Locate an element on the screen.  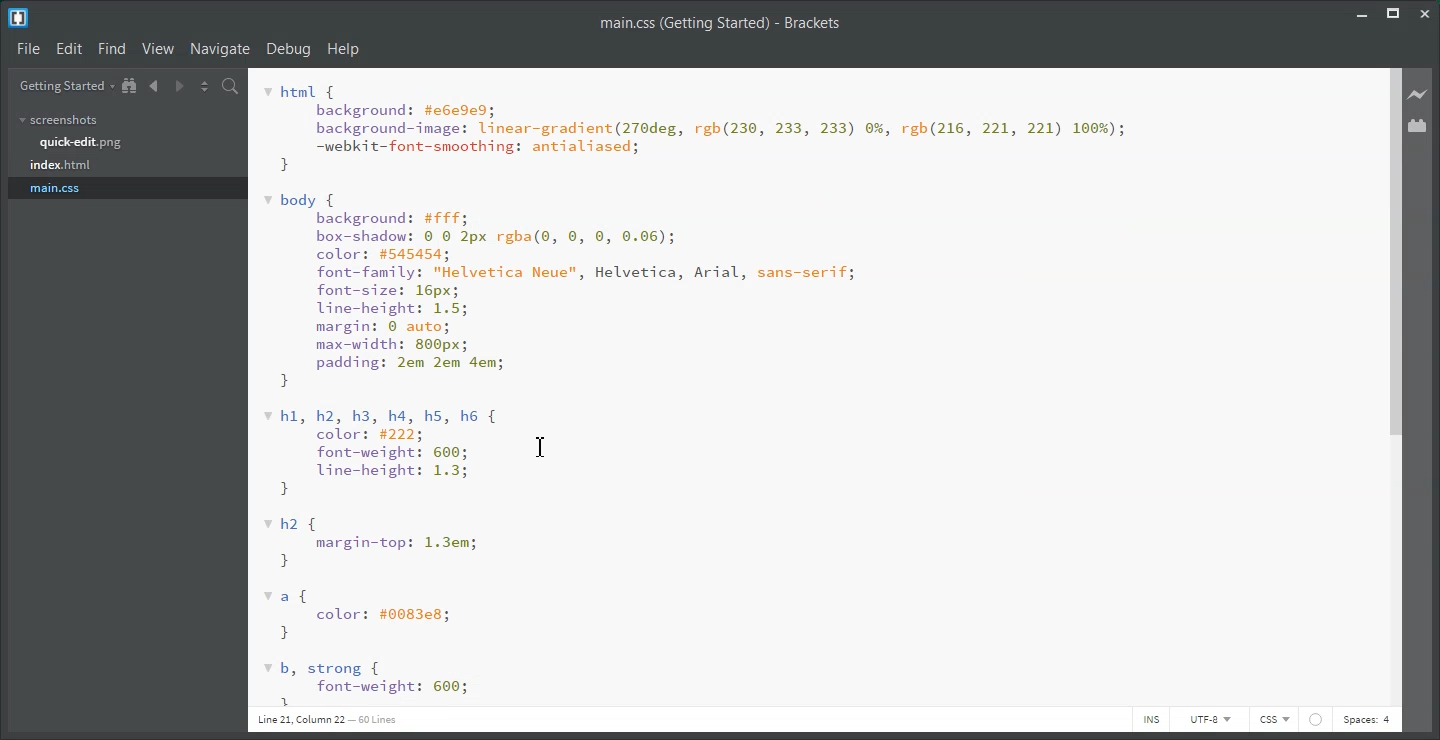
HTML is located at coordinates (1270, 721).